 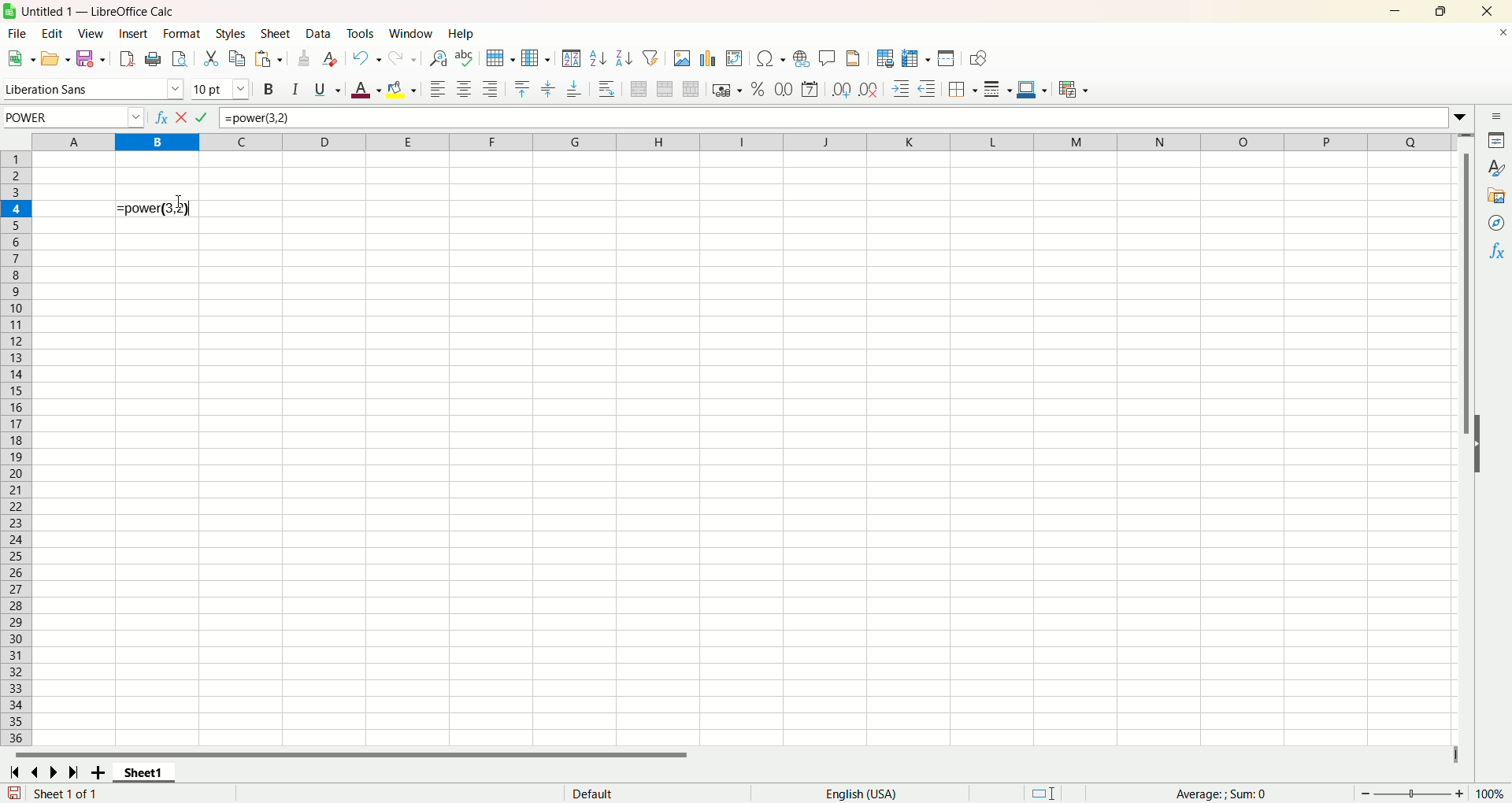 What do you see at coordinates (179, 202) in the screenshot?
I see `cursor` at bounding box center [179, 202].